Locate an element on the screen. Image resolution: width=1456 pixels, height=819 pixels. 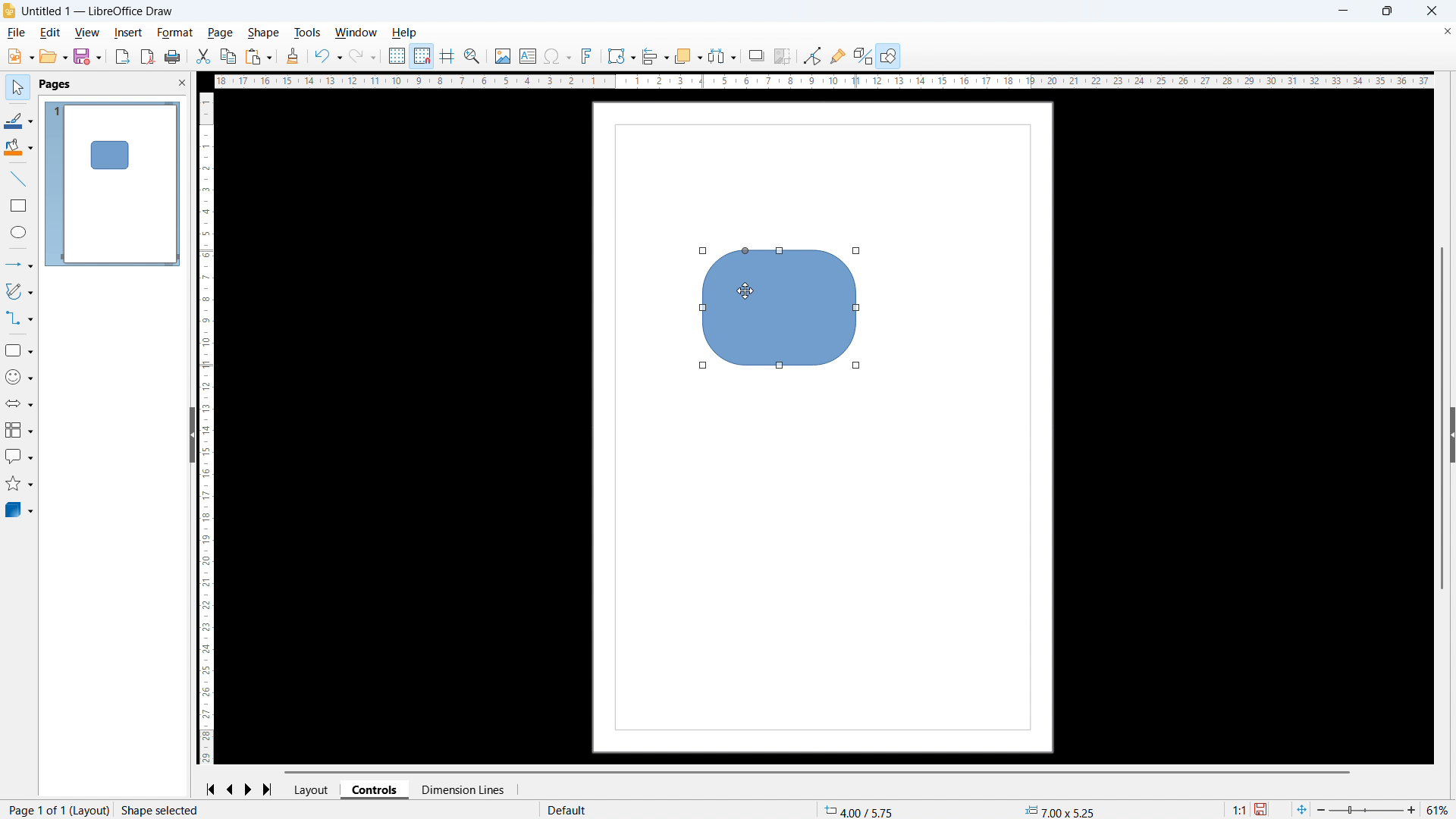
save  is located at coordinates (87, 57).